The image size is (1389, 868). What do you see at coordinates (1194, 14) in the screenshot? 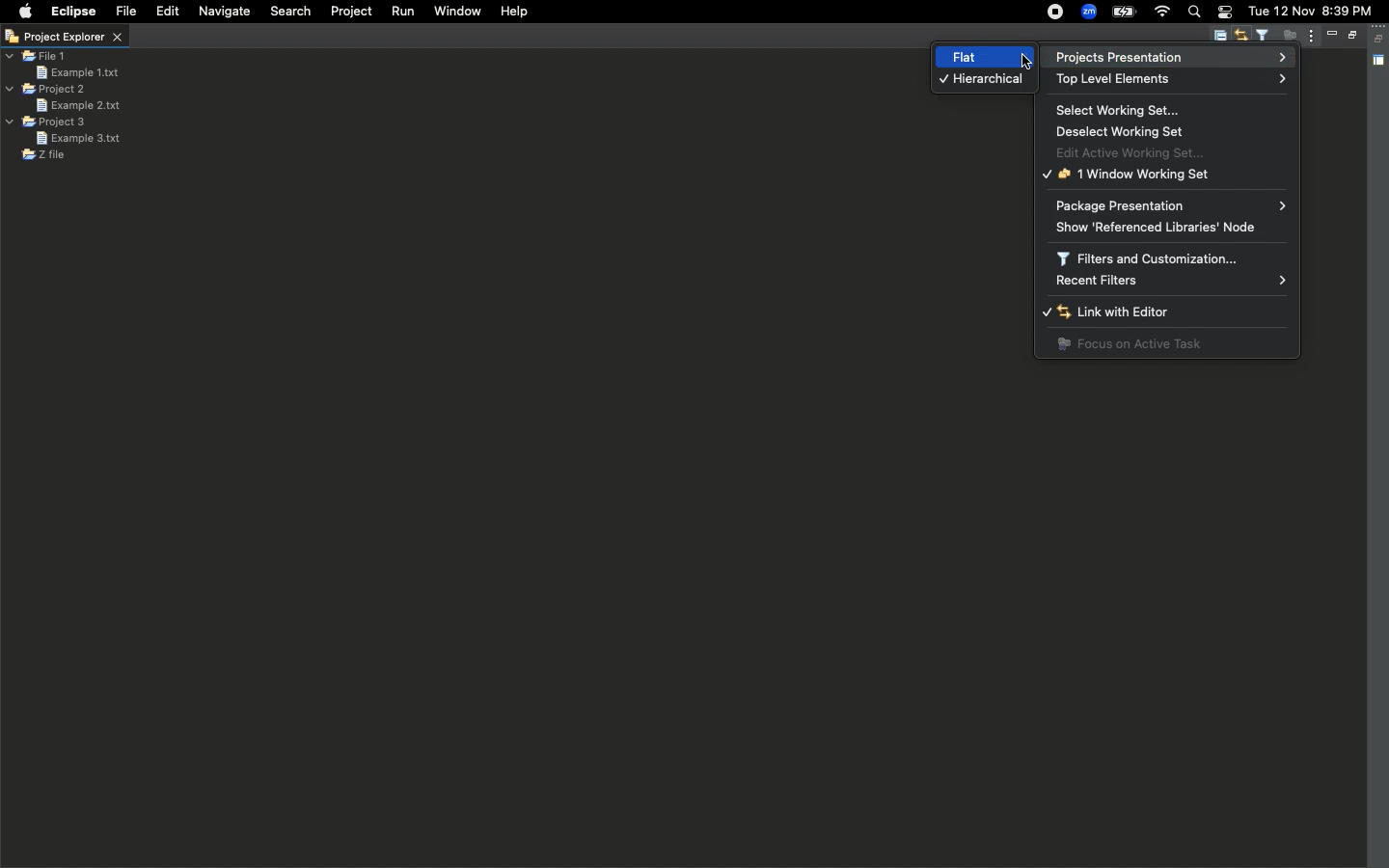
I see `Search` at bounding box center [1194, 14].